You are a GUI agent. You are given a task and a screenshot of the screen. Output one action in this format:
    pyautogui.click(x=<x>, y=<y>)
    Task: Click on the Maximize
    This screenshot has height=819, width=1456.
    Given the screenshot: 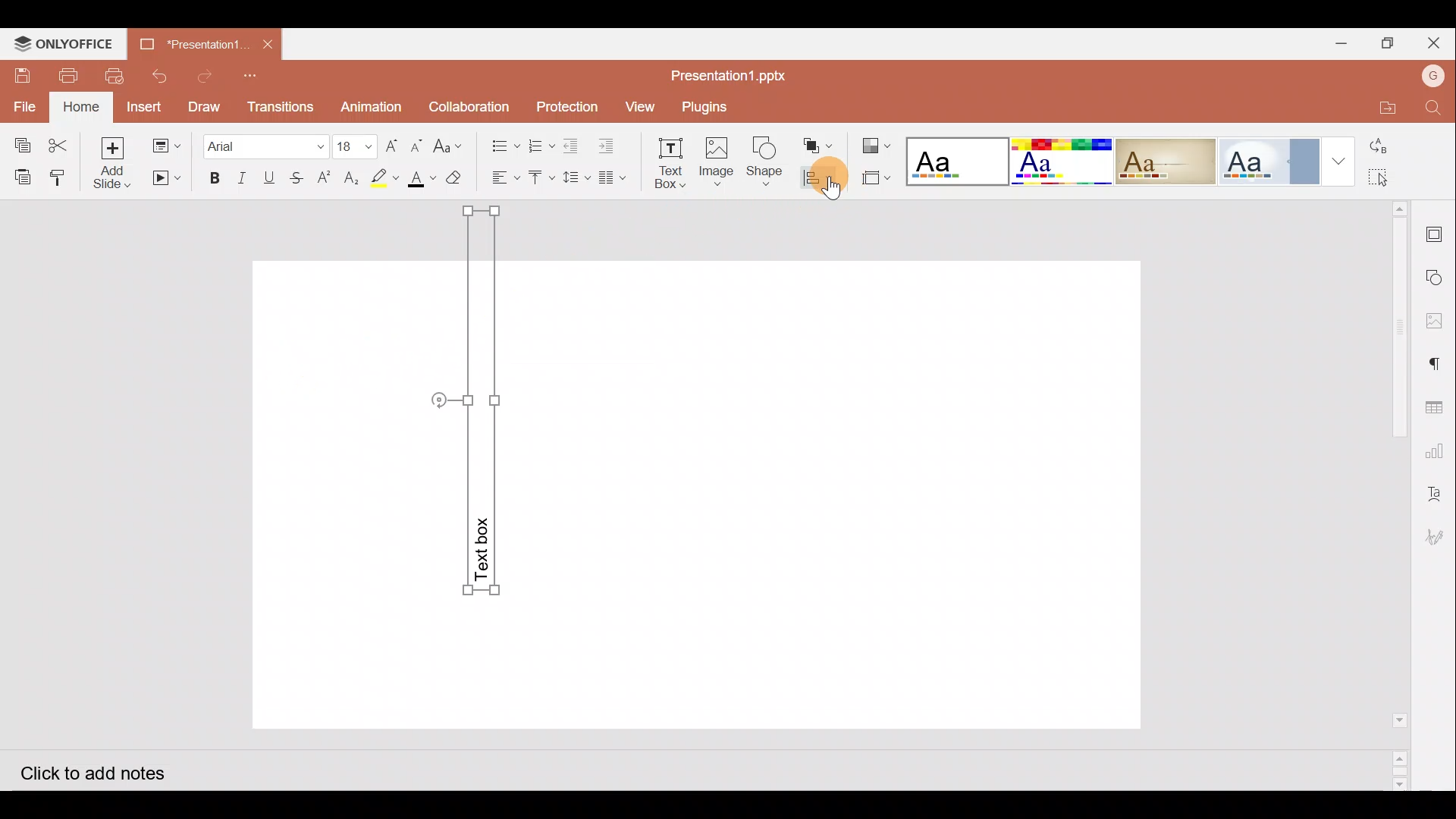 What is the action you would take?
    pyautogui.click(x=1392, y=42)
    